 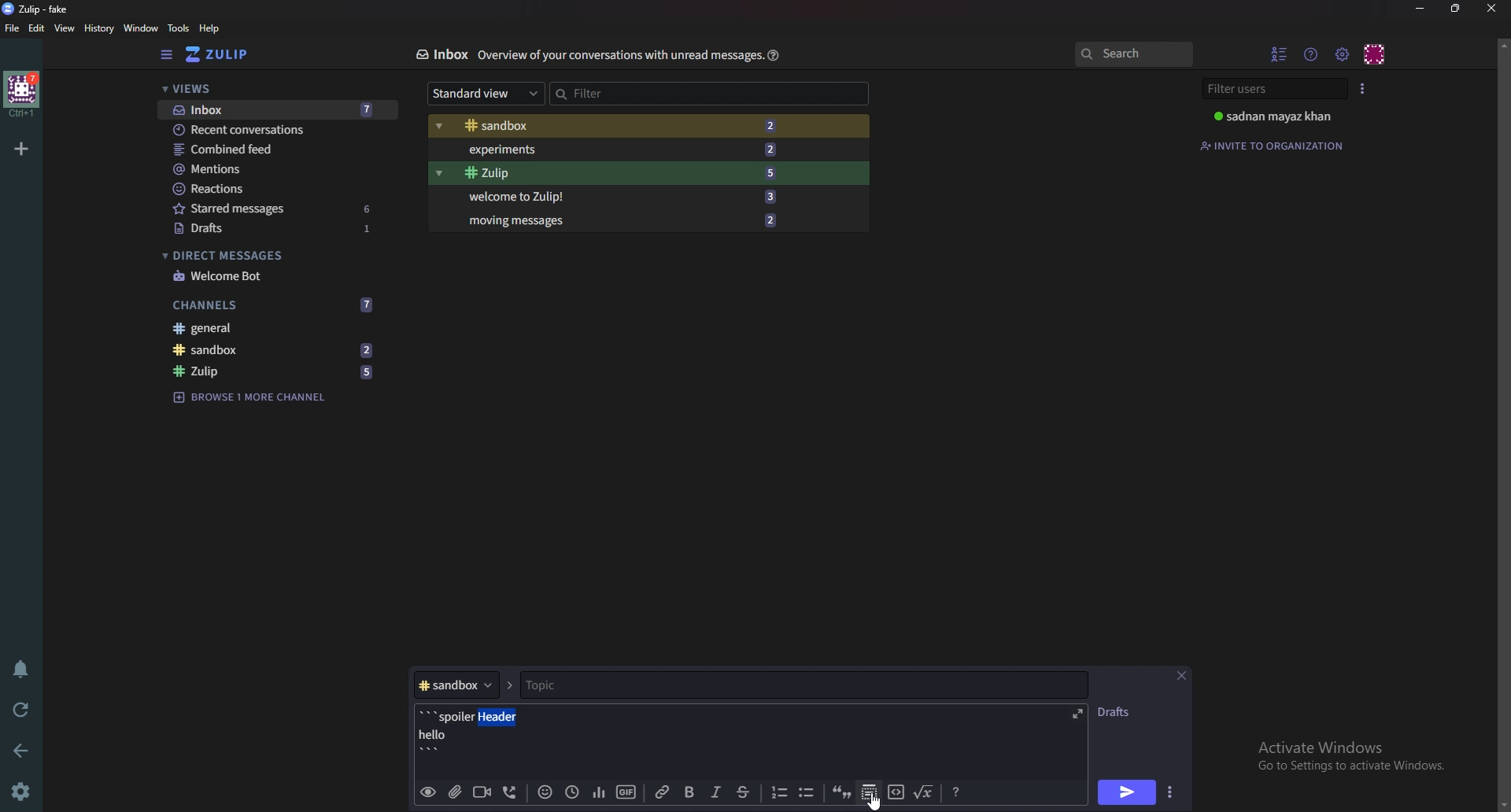 What do you see at coordinates (1279, 54) in the screenshot?
I see `Hide user list` at bounding box center [1279, 54].